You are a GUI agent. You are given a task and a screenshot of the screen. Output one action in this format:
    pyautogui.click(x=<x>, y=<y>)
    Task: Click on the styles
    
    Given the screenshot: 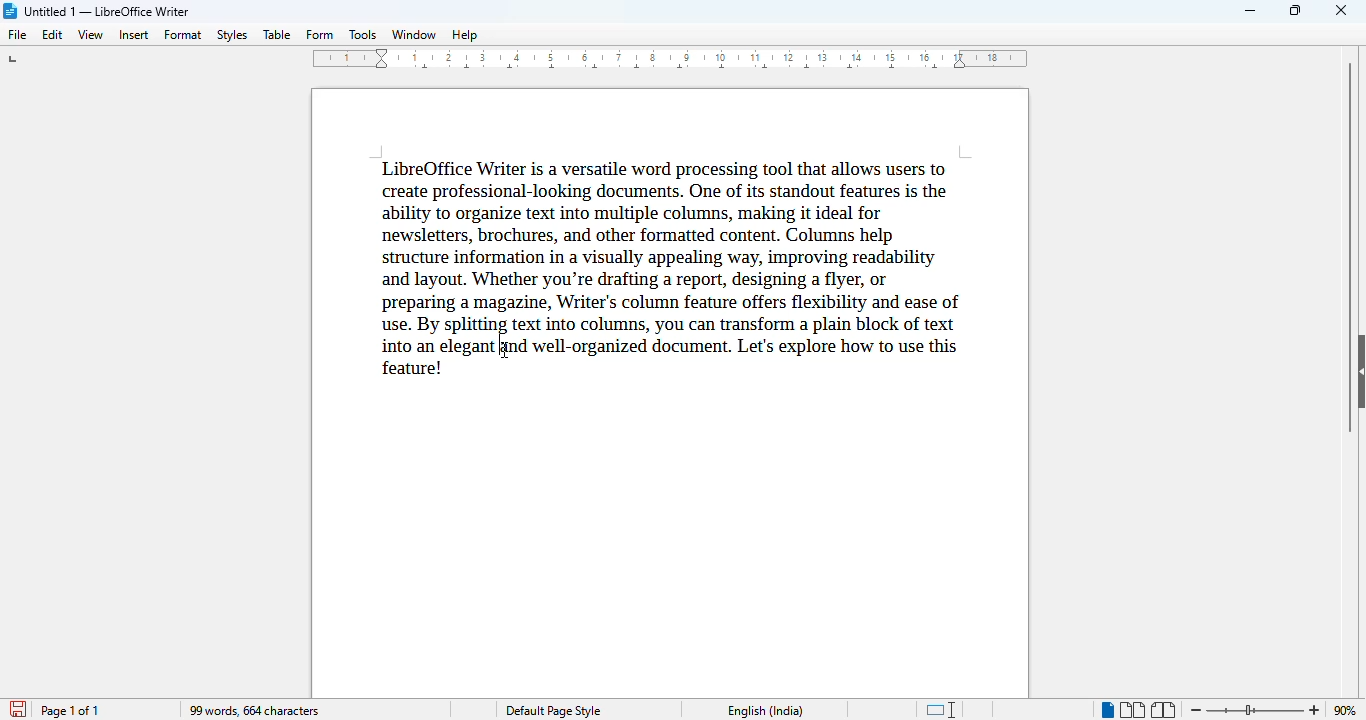 What is the action you would take?
    pyautogui.click(x=232, y=35)
    